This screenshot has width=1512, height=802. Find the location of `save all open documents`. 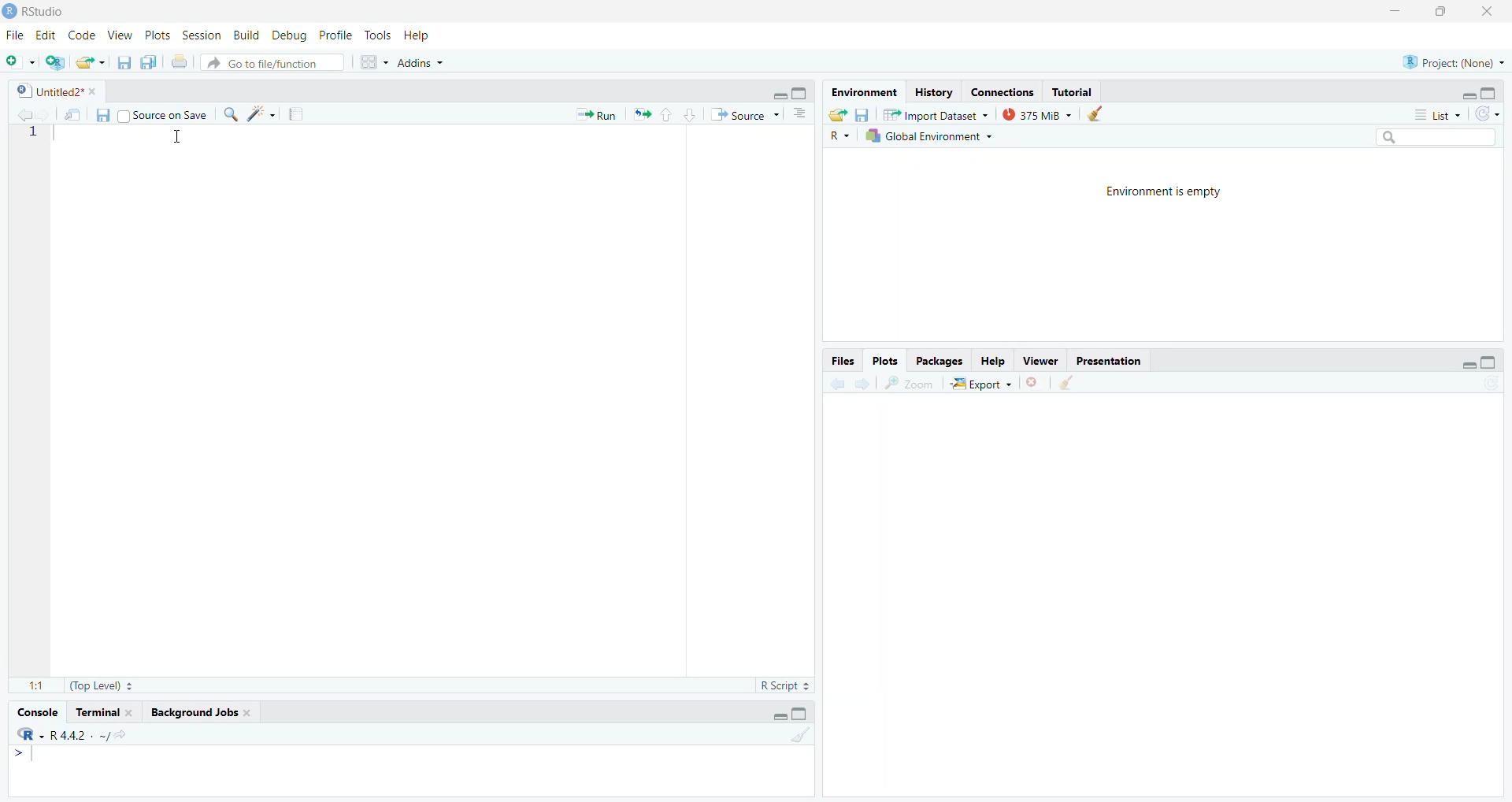

save all open documents is located at coordinates (149, 60).